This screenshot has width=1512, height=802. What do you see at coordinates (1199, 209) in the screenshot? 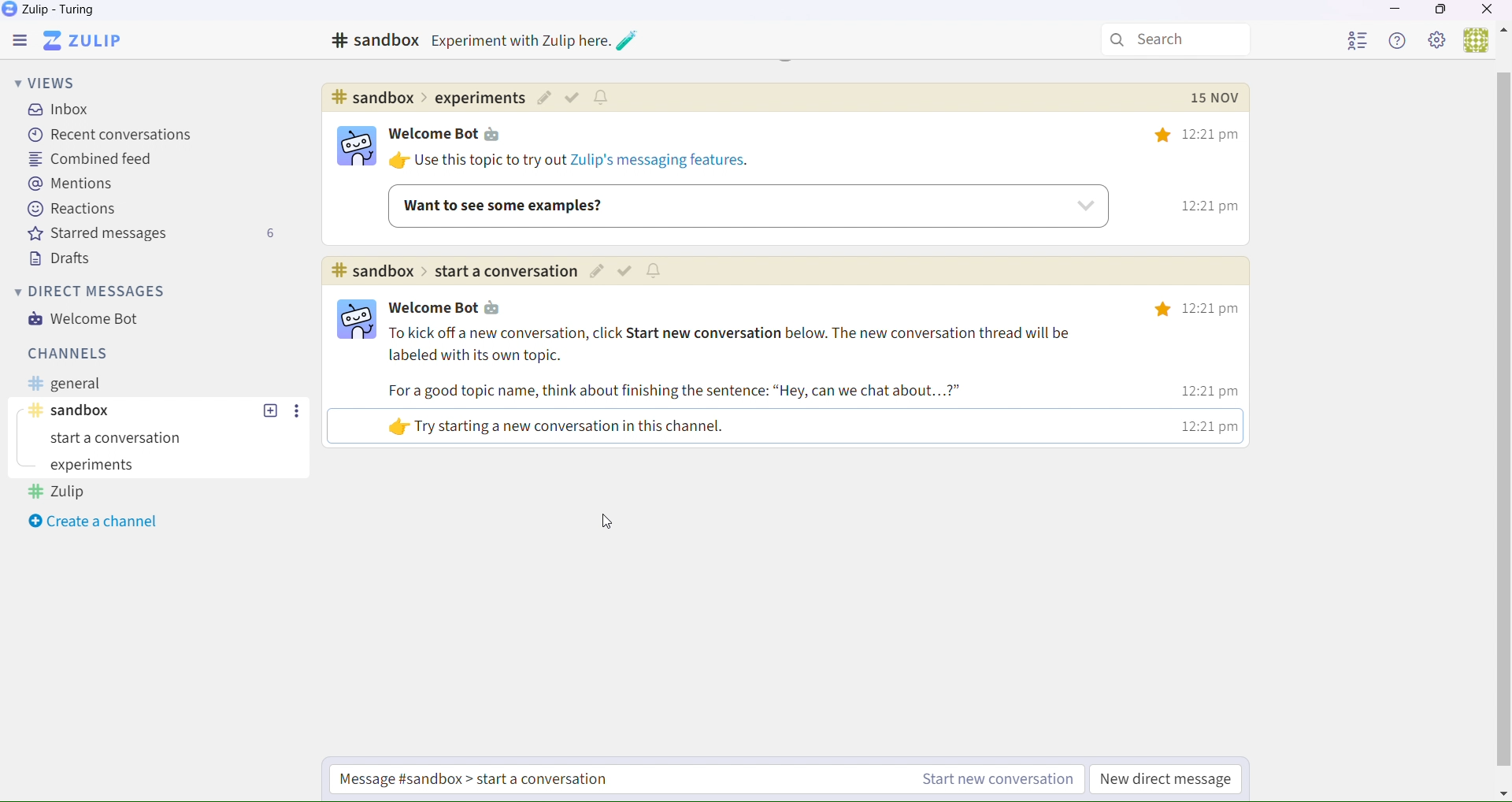
I see `12:21 pm` at bounding box center [1199, 209].